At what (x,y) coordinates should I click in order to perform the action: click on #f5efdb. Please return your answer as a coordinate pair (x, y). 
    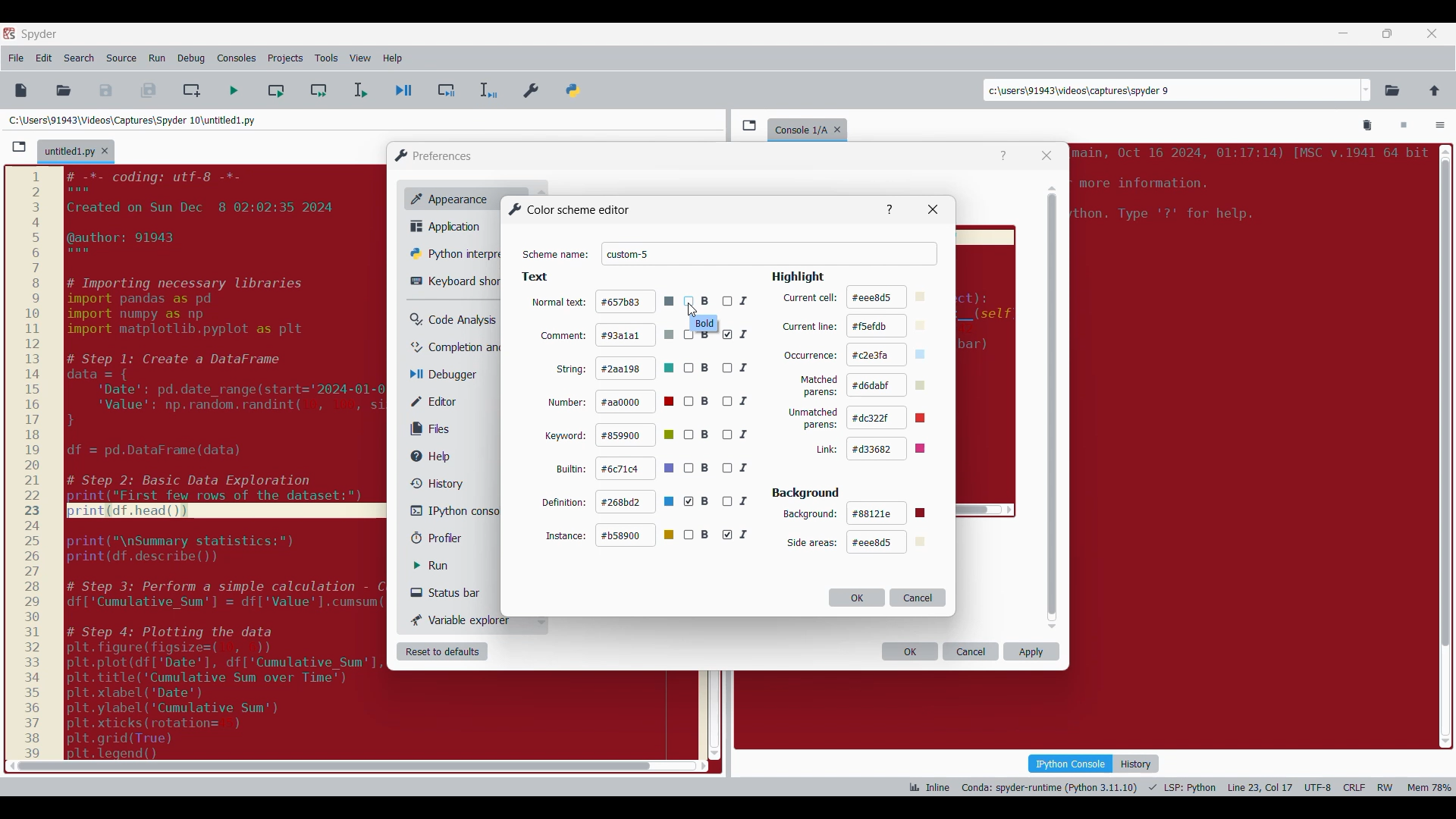
    Looking at the image, I should click on (889, 326).